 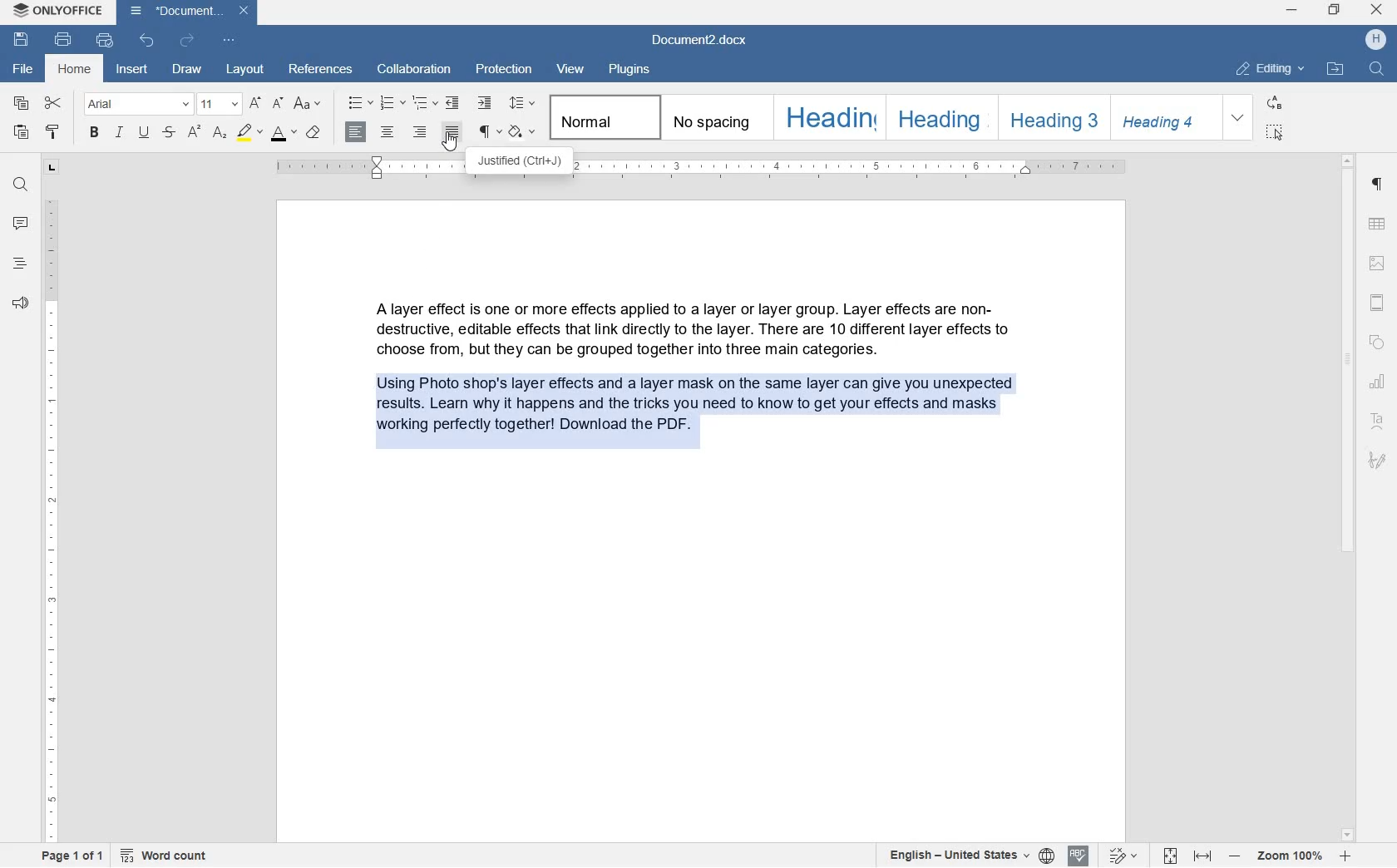 I want to click on BOLD, so click(x=94, y=133).